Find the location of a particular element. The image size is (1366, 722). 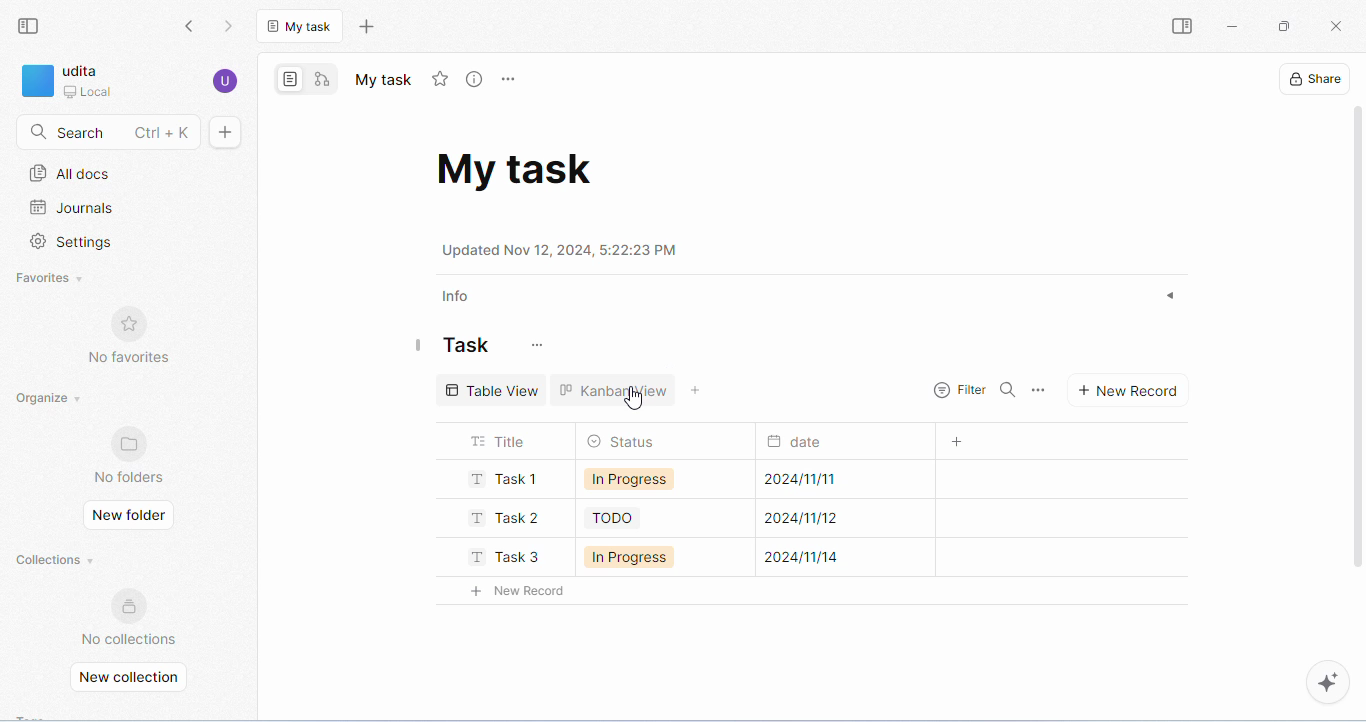

page mode is located at coordinates (294, 79).